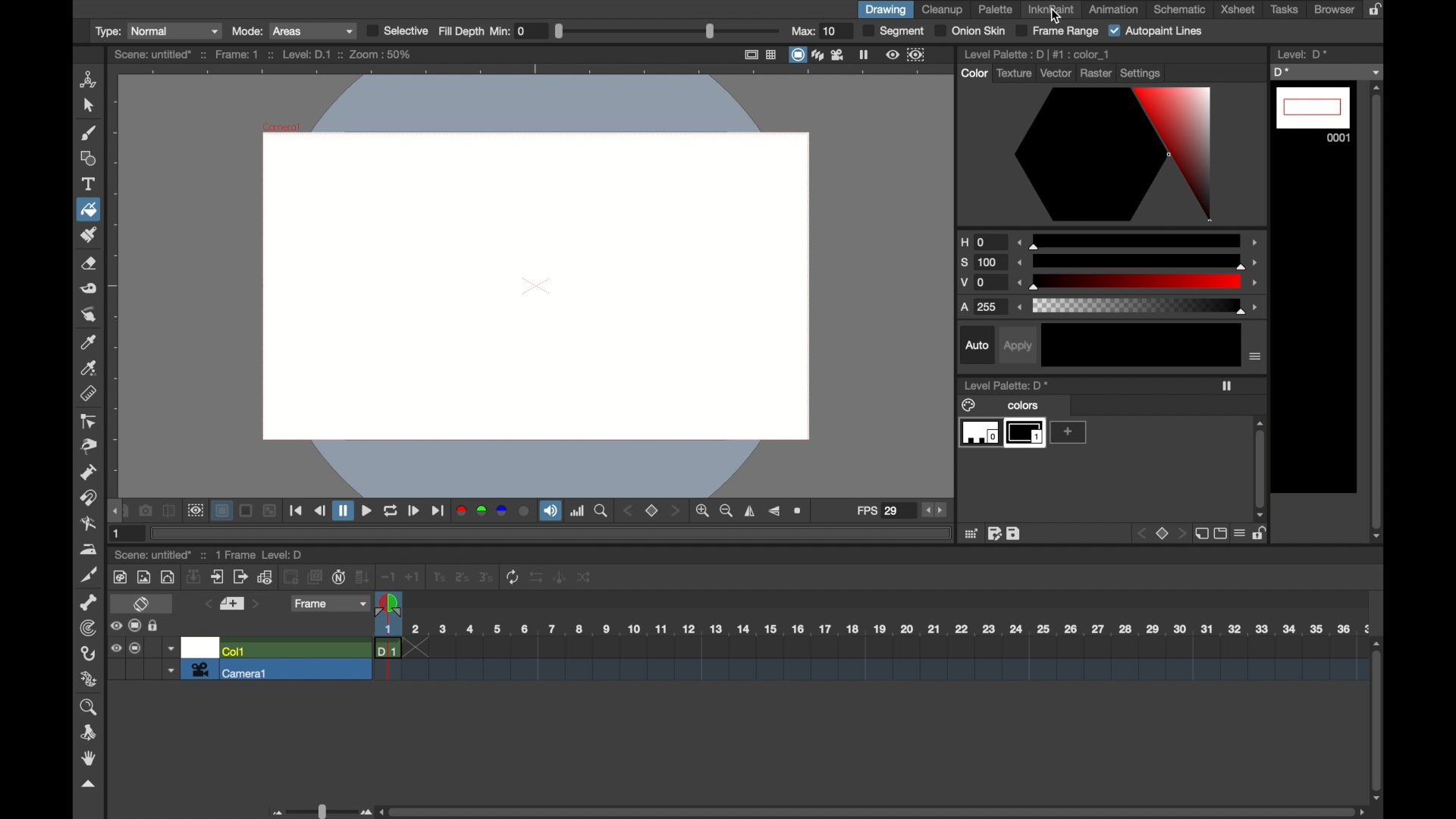 This screenshot has height=819, width=1456. I want to click on rotate tool, so click(89, 733).